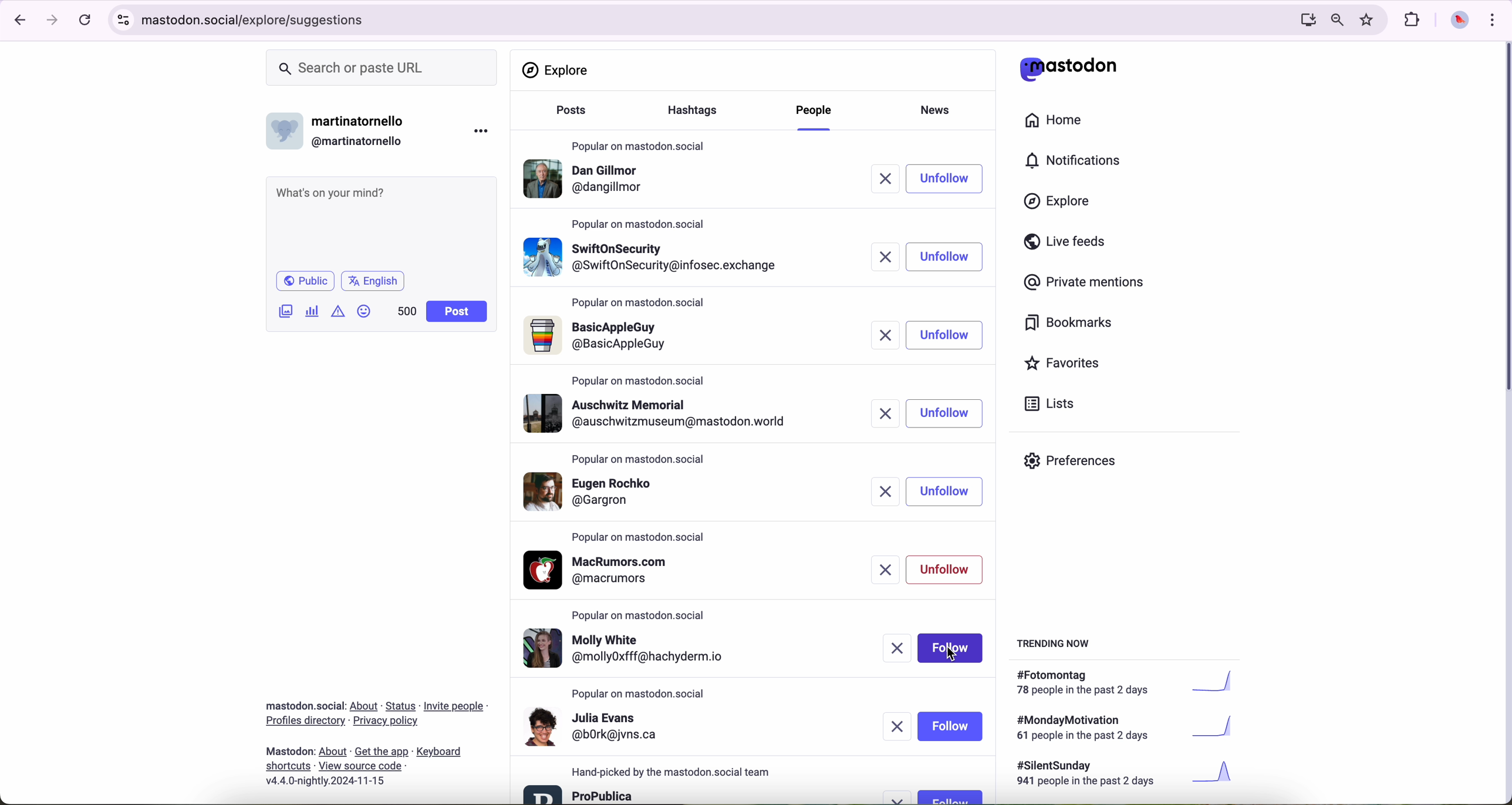 Image resolution: width=1512 pixels, height=805 pixels. I want to click on cursor, so click(954, 655).